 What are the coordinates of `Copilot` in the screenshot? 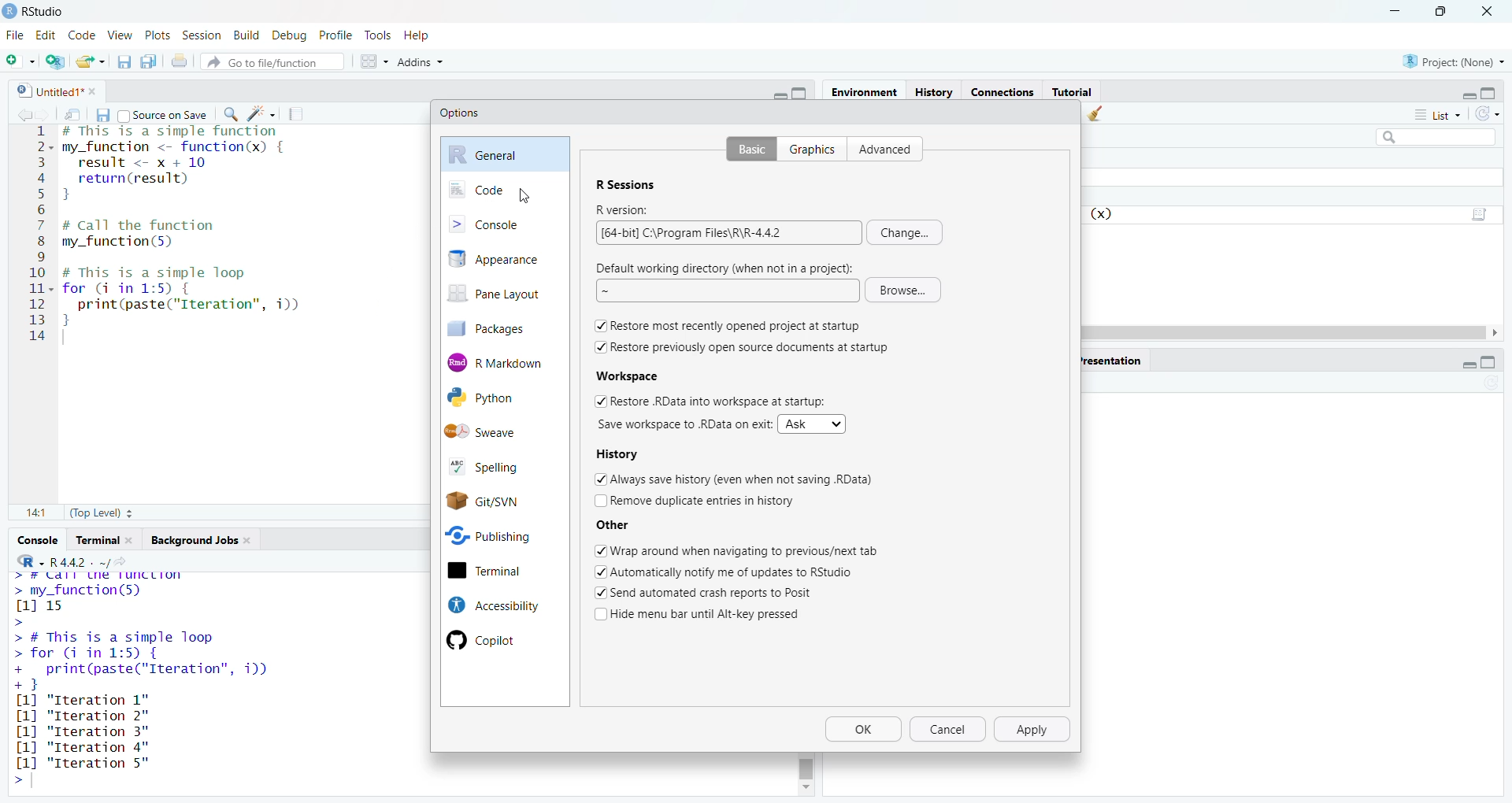 It's located at (490, 641).